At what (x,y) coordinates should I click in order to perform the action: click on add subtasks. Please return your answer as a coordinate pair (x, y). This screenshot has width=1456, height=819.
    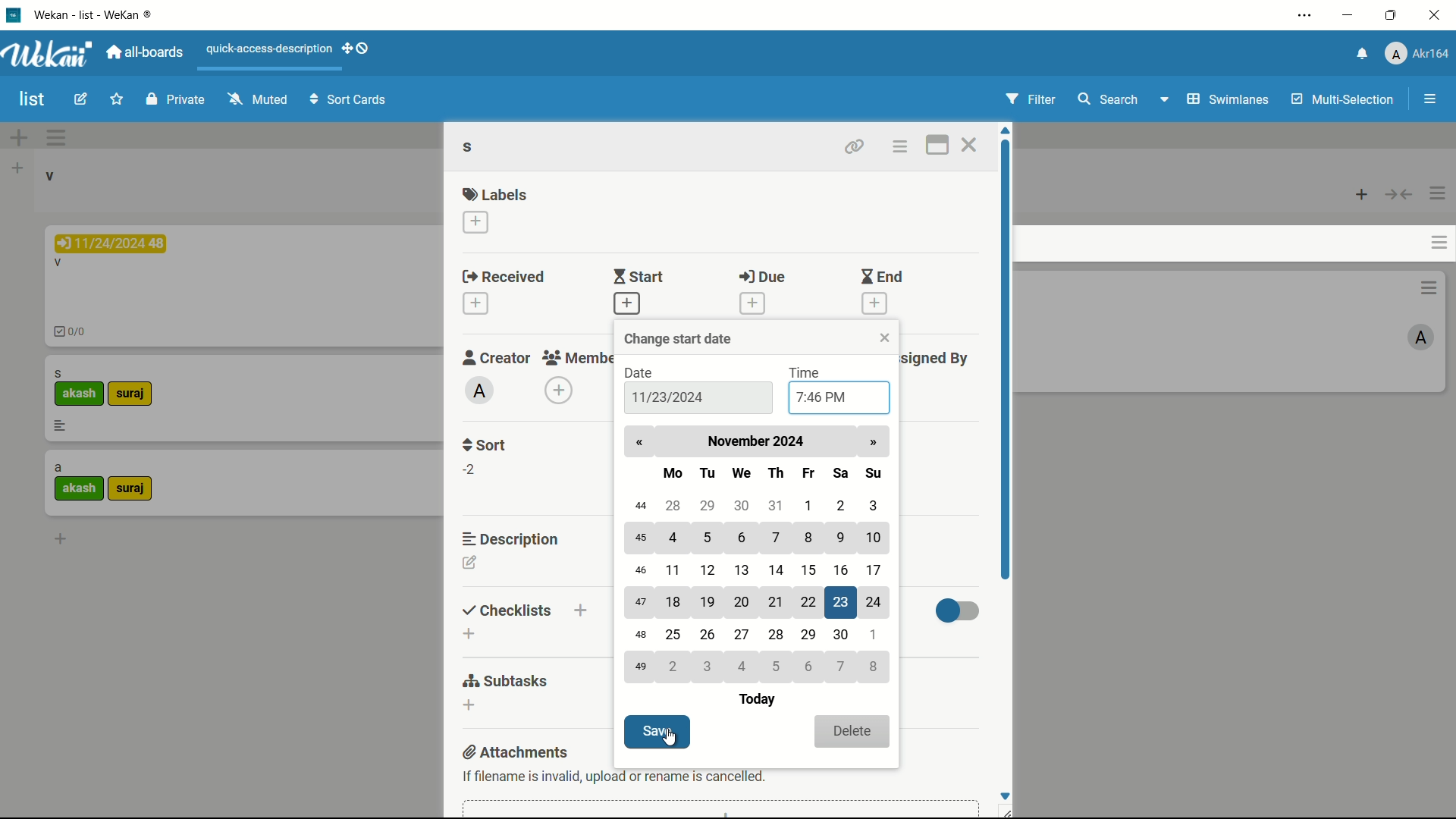
    Looking at the image, I should click on (468, 704).